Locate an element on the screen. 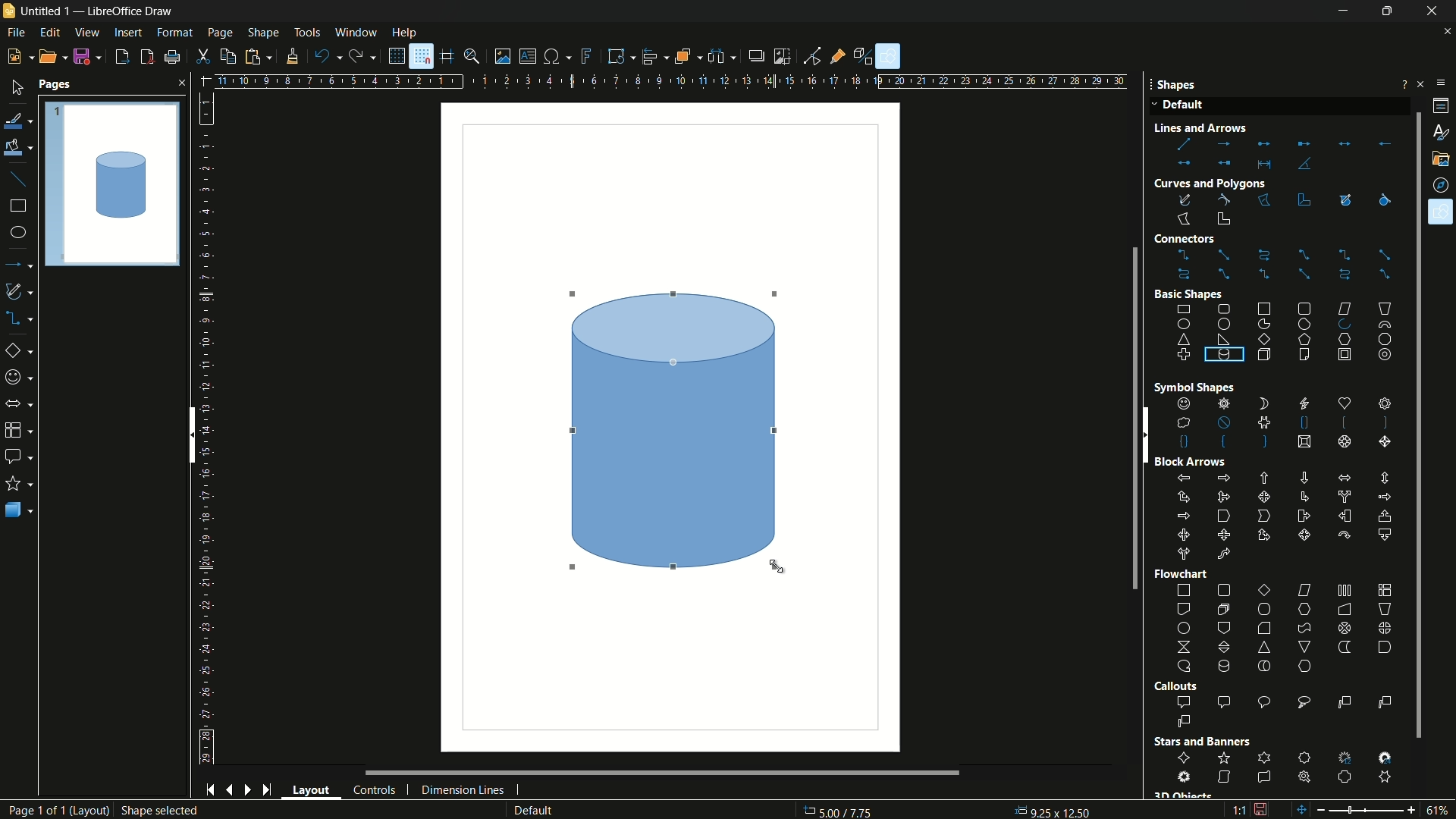 The height and width of the screenshot is (819, 1456). edit menu is located at coordinates (49, 33).